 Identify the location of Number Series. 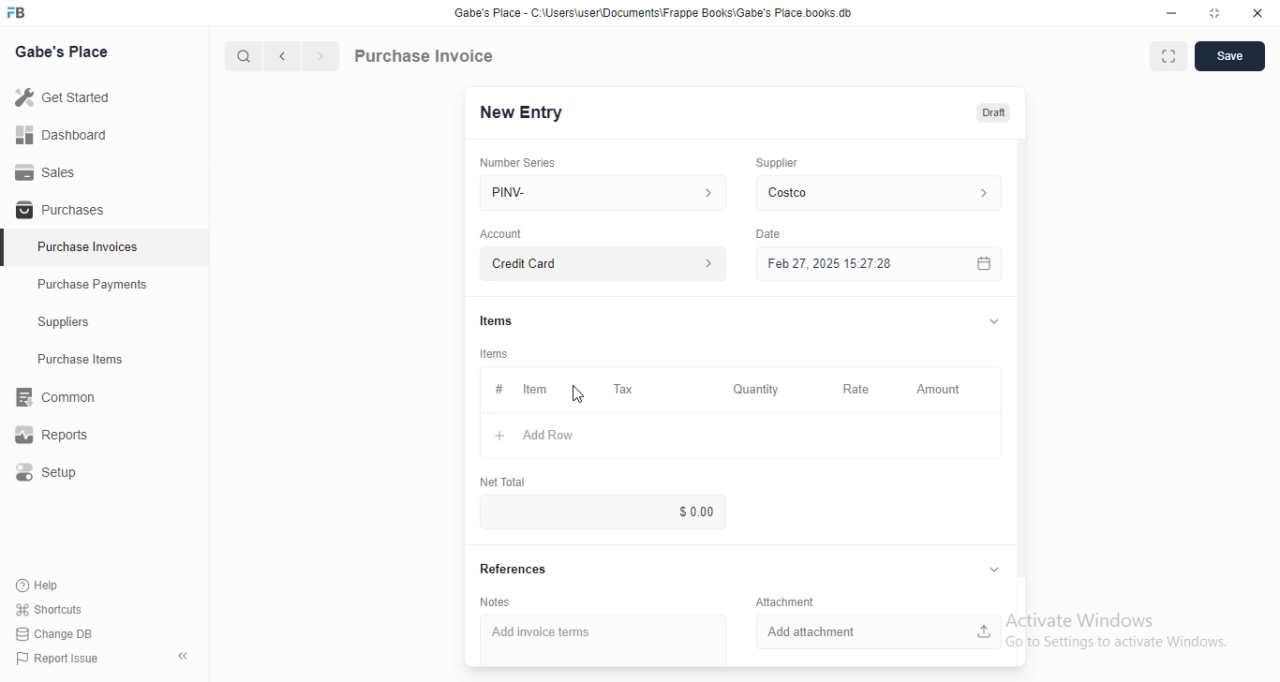
(518, 163).